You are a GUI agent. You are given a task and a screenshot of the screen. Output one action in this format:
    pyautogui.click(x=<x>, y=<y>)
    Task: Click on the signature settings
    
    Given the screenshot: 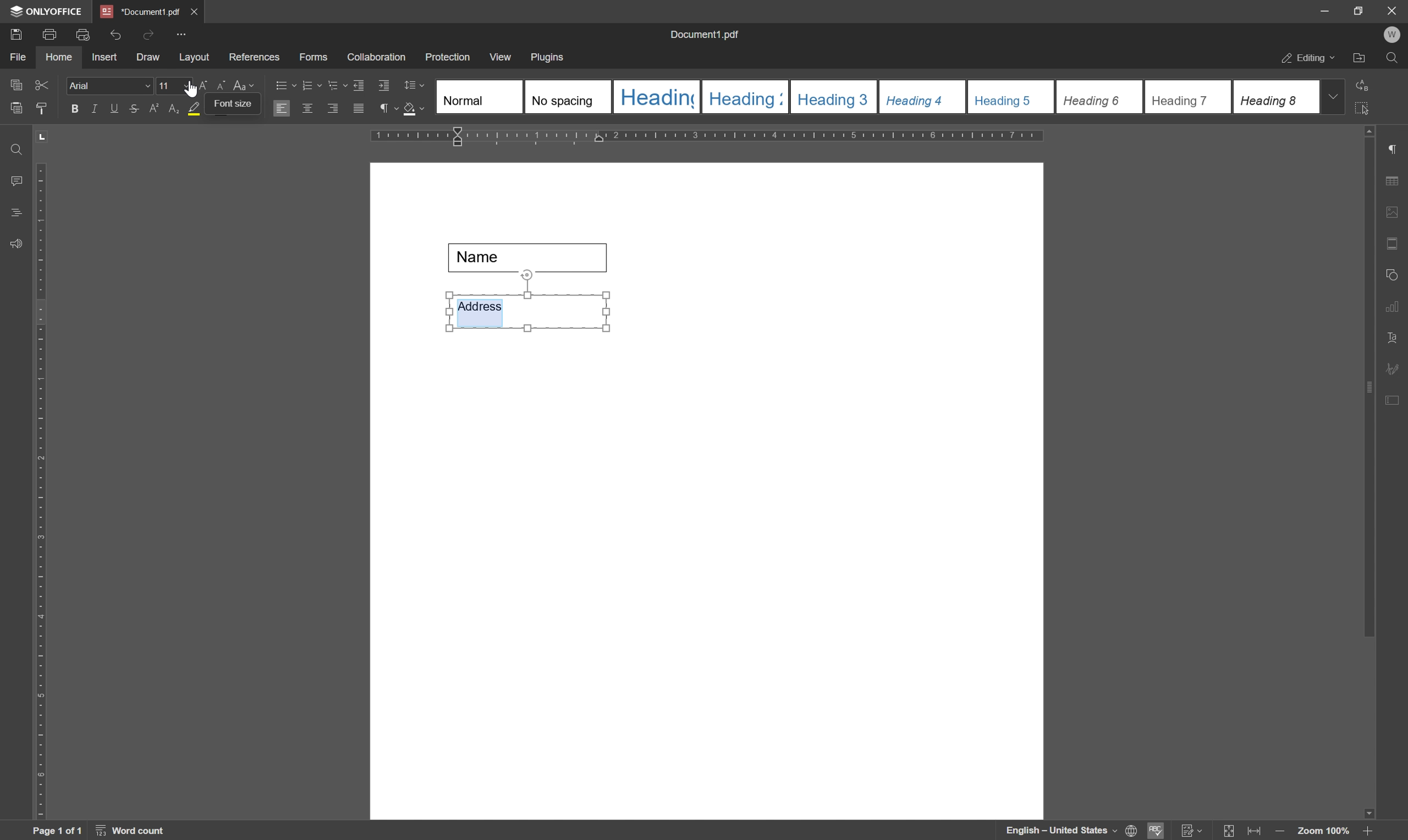 What is the action you would take?
    pyautogui.click(x=1396, y=368)
    